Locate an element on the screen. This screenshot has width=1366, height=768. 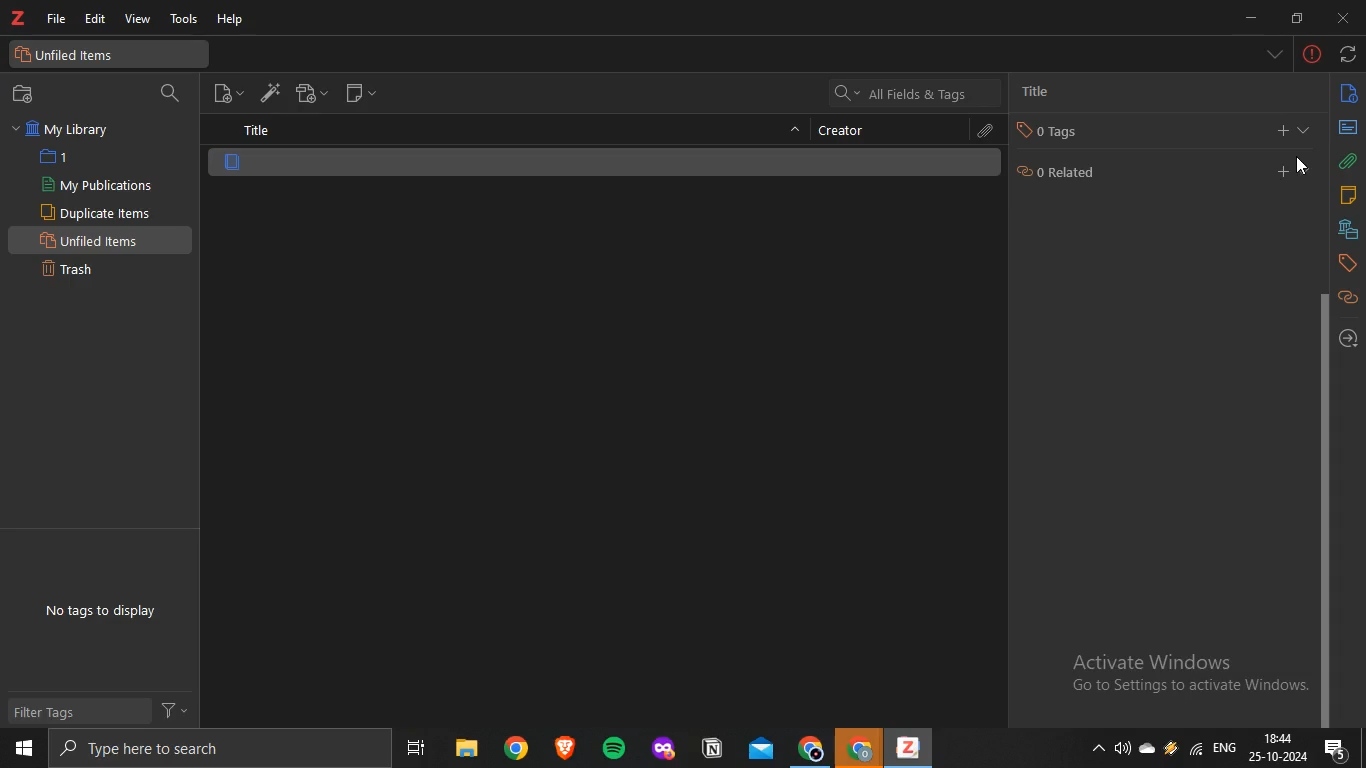
onedrive is located at coordinates (1169, 748).